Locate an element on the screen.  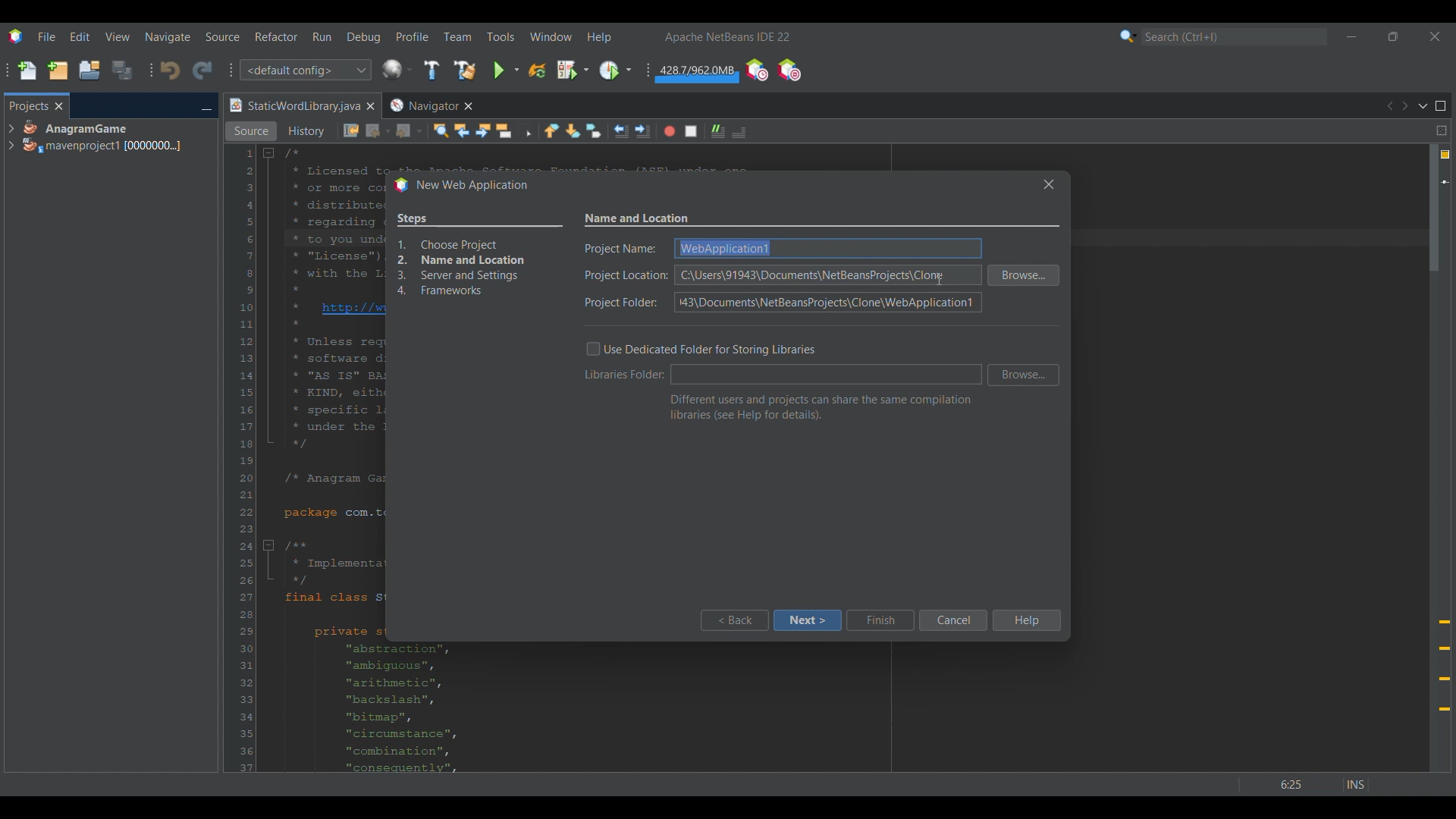
Shift line right is located at coordinates (642, 131).